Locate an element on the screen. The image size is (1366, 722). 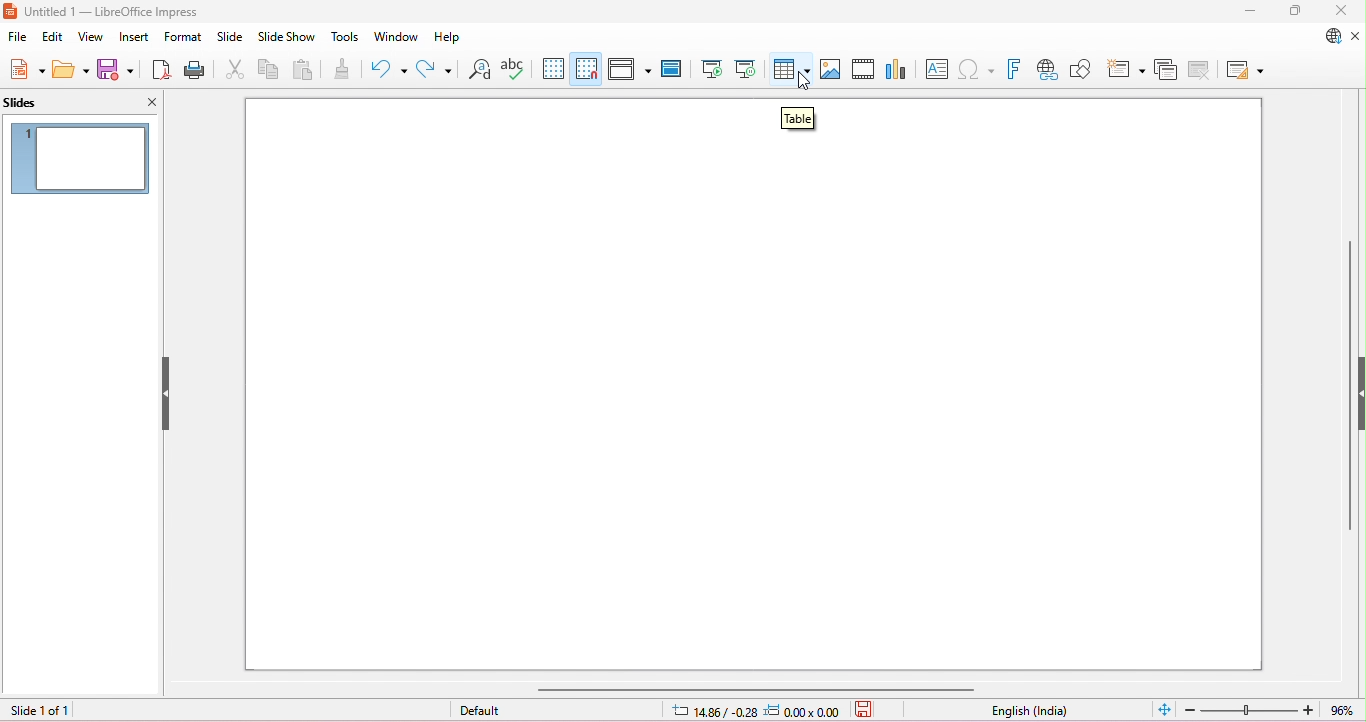
insert chart is located at coordinates (896, 70).